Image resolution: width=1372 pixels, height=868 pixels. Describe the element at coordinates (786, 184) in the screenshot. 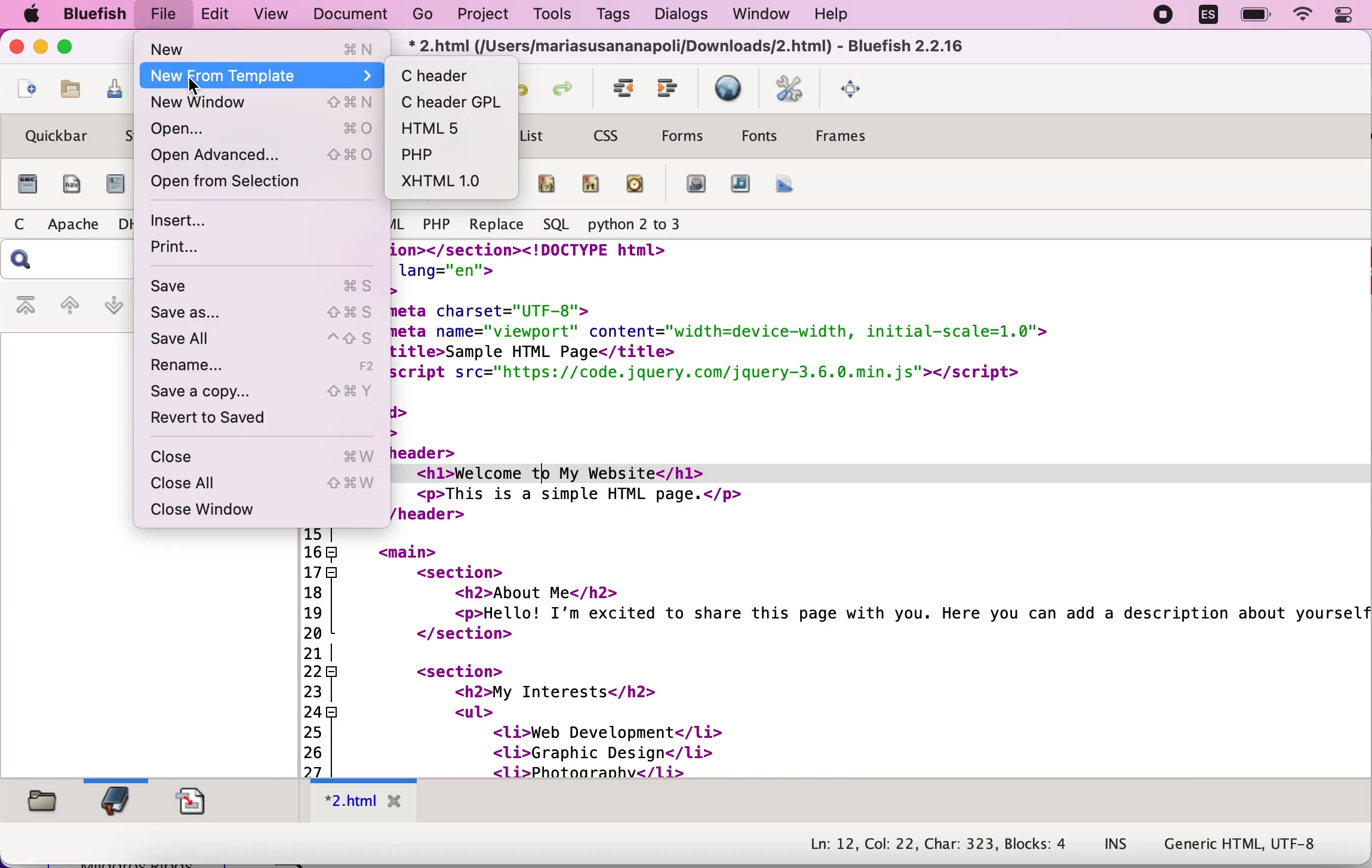

I see `canvas` at that location.